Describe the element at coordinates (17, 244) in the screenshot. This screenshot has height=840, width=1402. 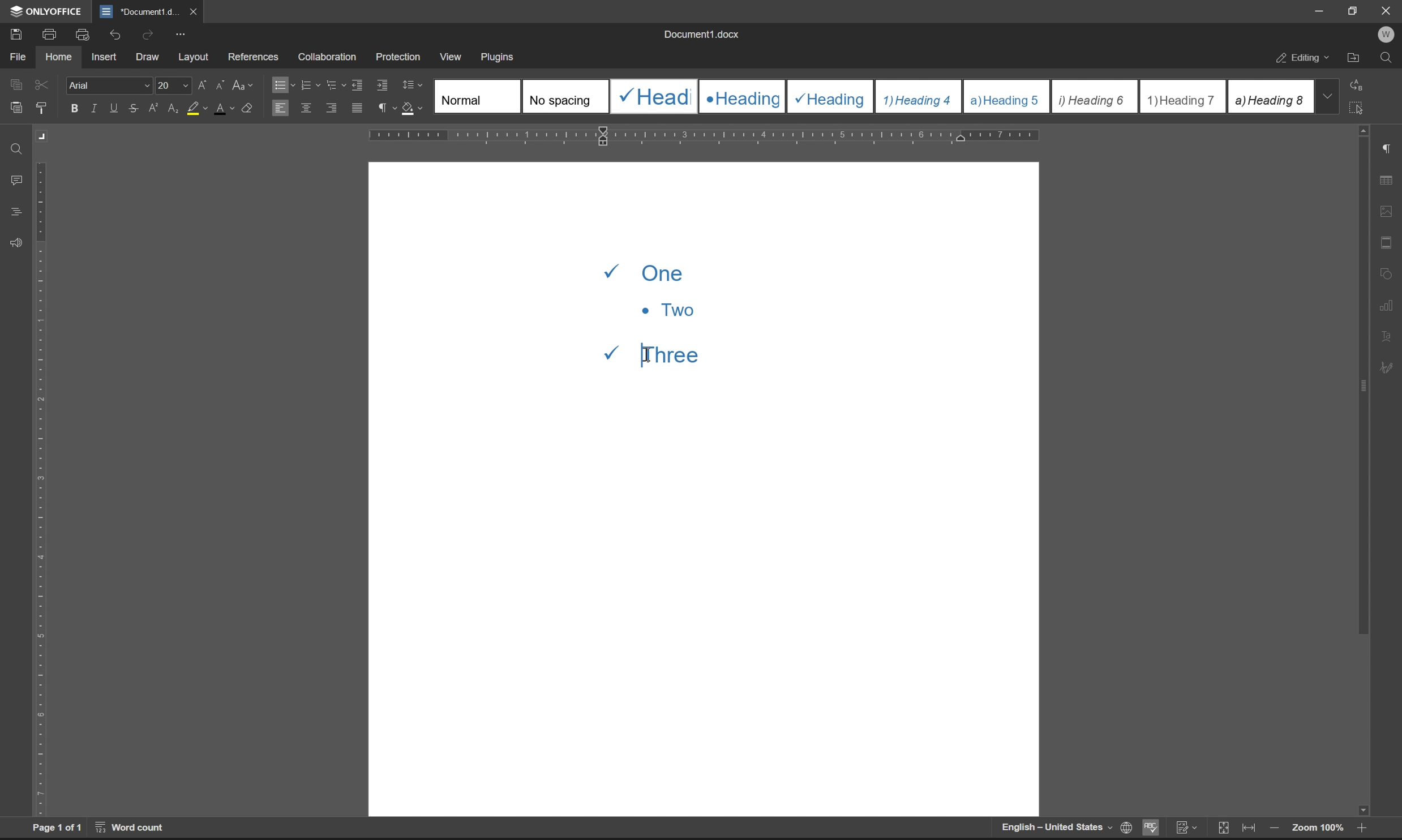
I see `feedback & support` at that location.